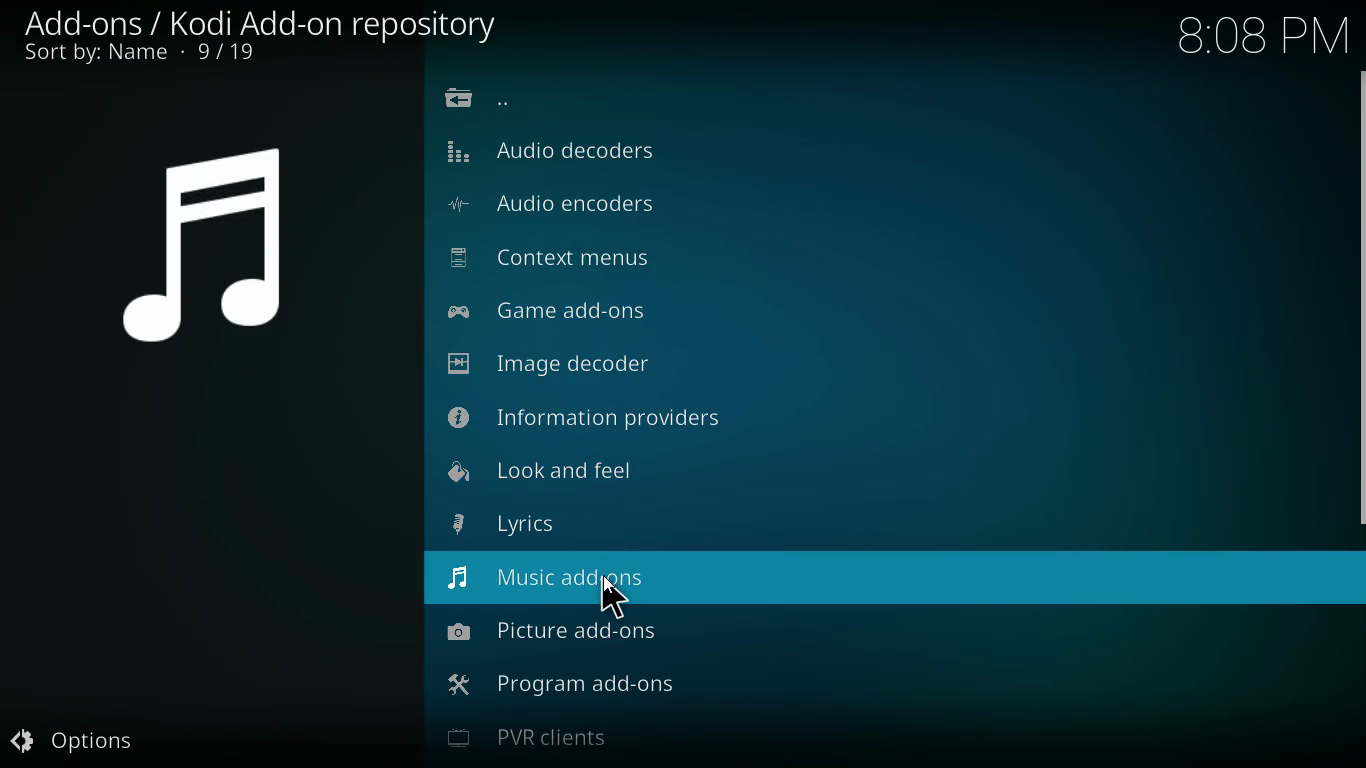 The image size is (1366, 768). Describe the element at coordinates (556, 629) in the screenshot. I see `Picture add-ons` at that location.